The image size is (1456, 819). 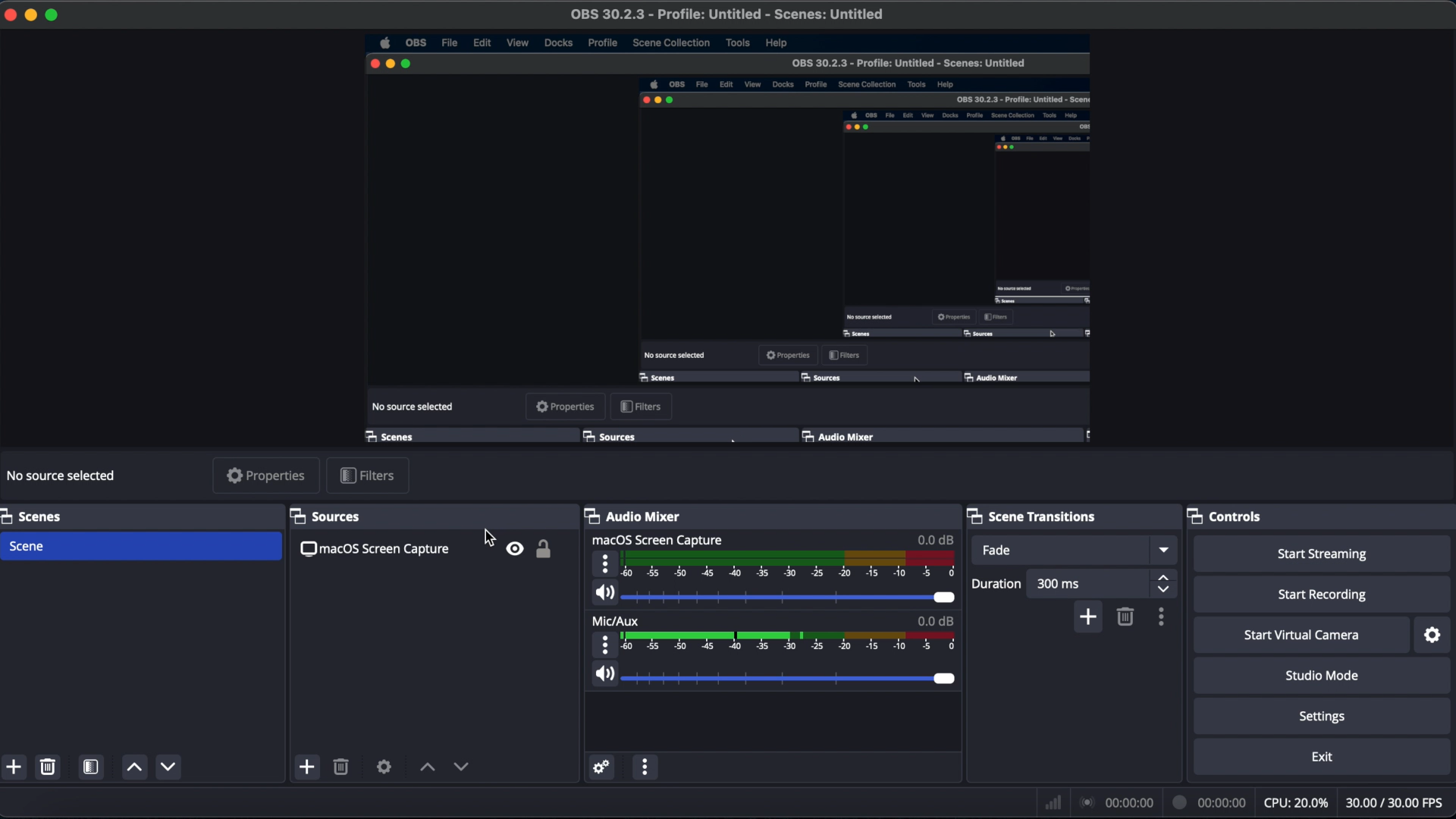 What do you see at coordinates (27, 546) in the screenshot?
I see `scene` at bounding box center [27, 546].